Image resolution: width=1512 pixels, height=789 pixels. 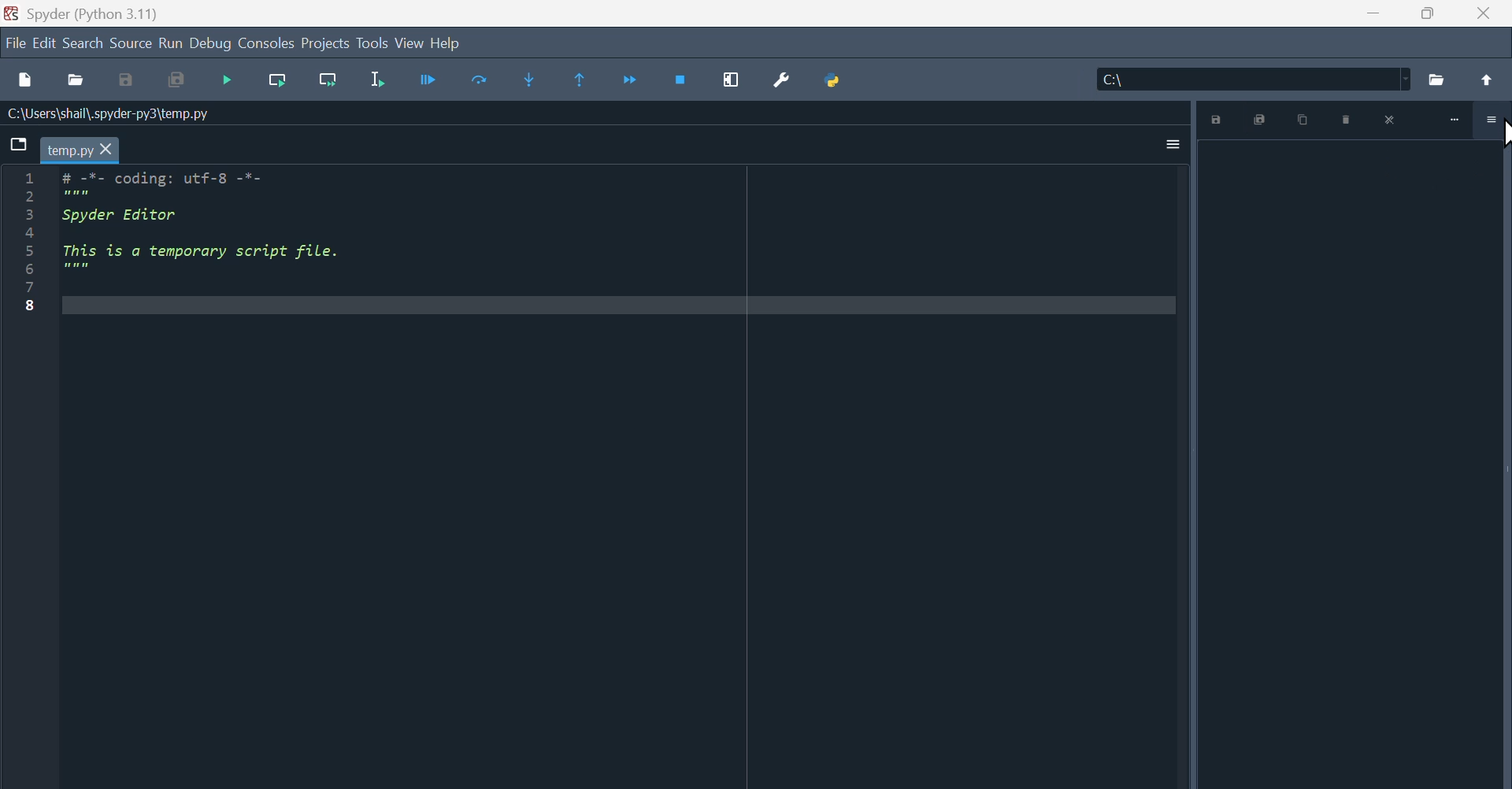 What do you see at coordinates (117, 114) in the screenshot?
I see `File Path` at bounding box center [117, 114].